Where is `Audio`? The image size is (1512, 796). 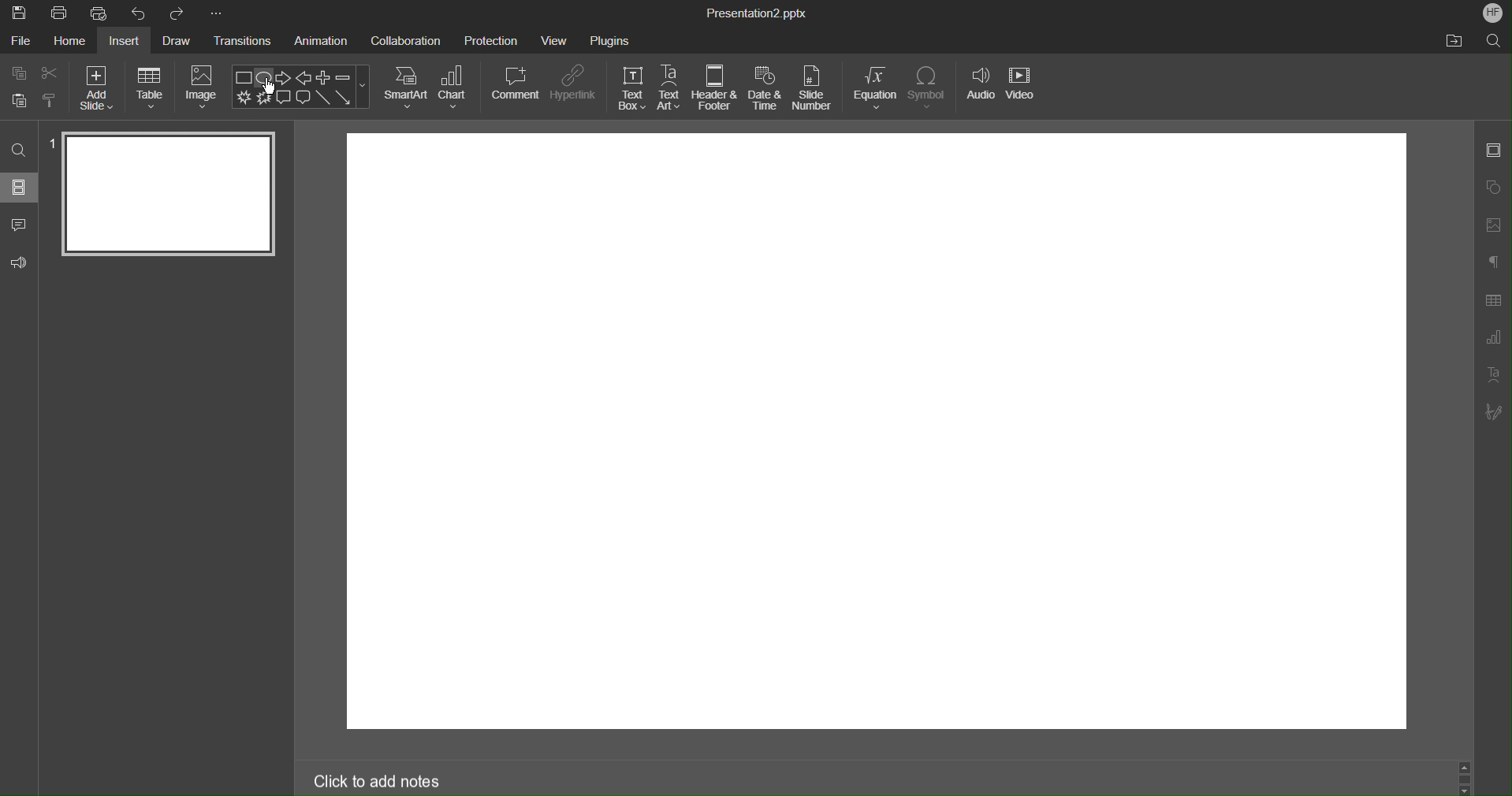 Audio is located at coordinates (979, 90).